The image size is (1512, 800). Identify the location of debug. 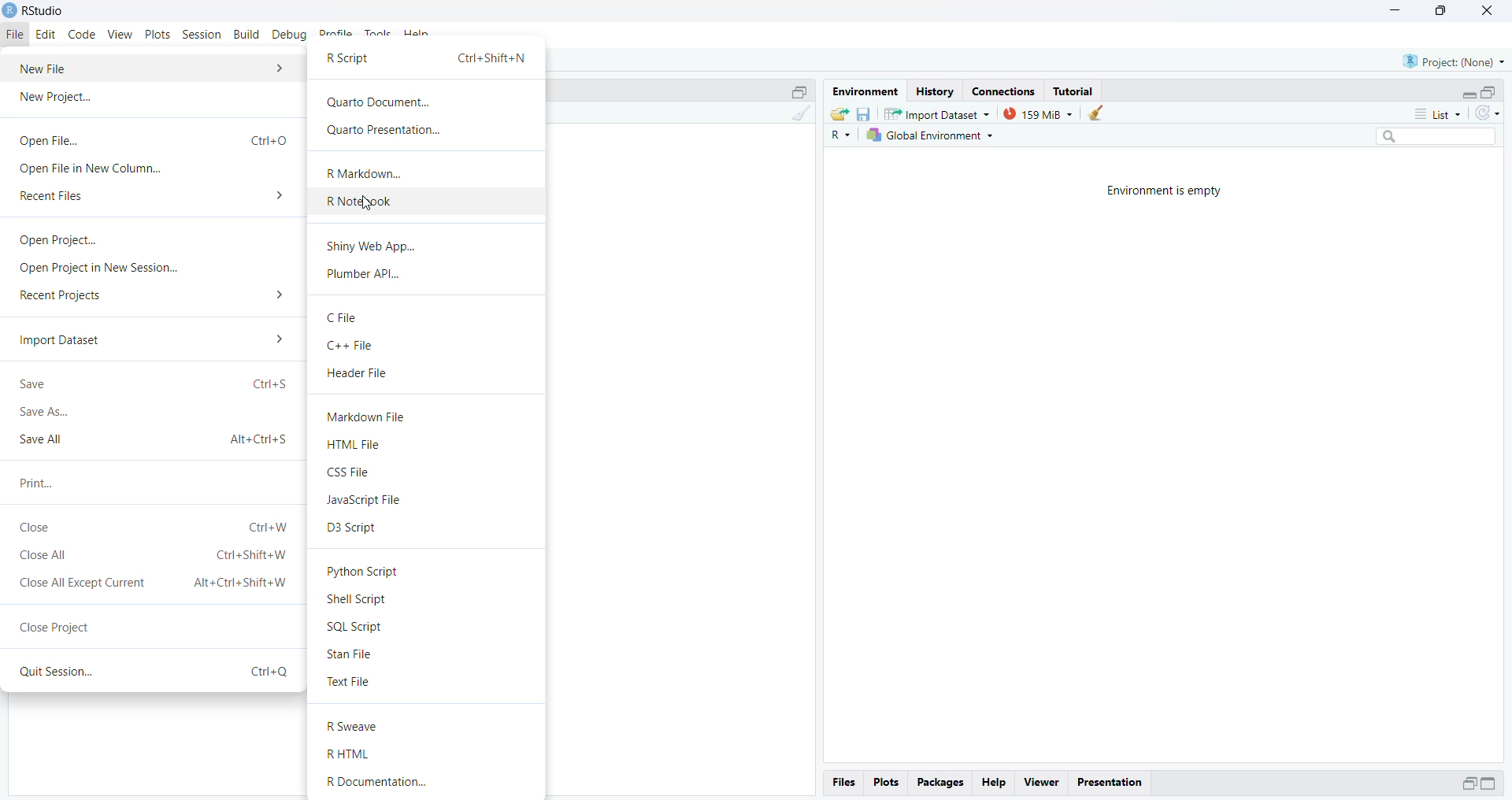
(291, 35).